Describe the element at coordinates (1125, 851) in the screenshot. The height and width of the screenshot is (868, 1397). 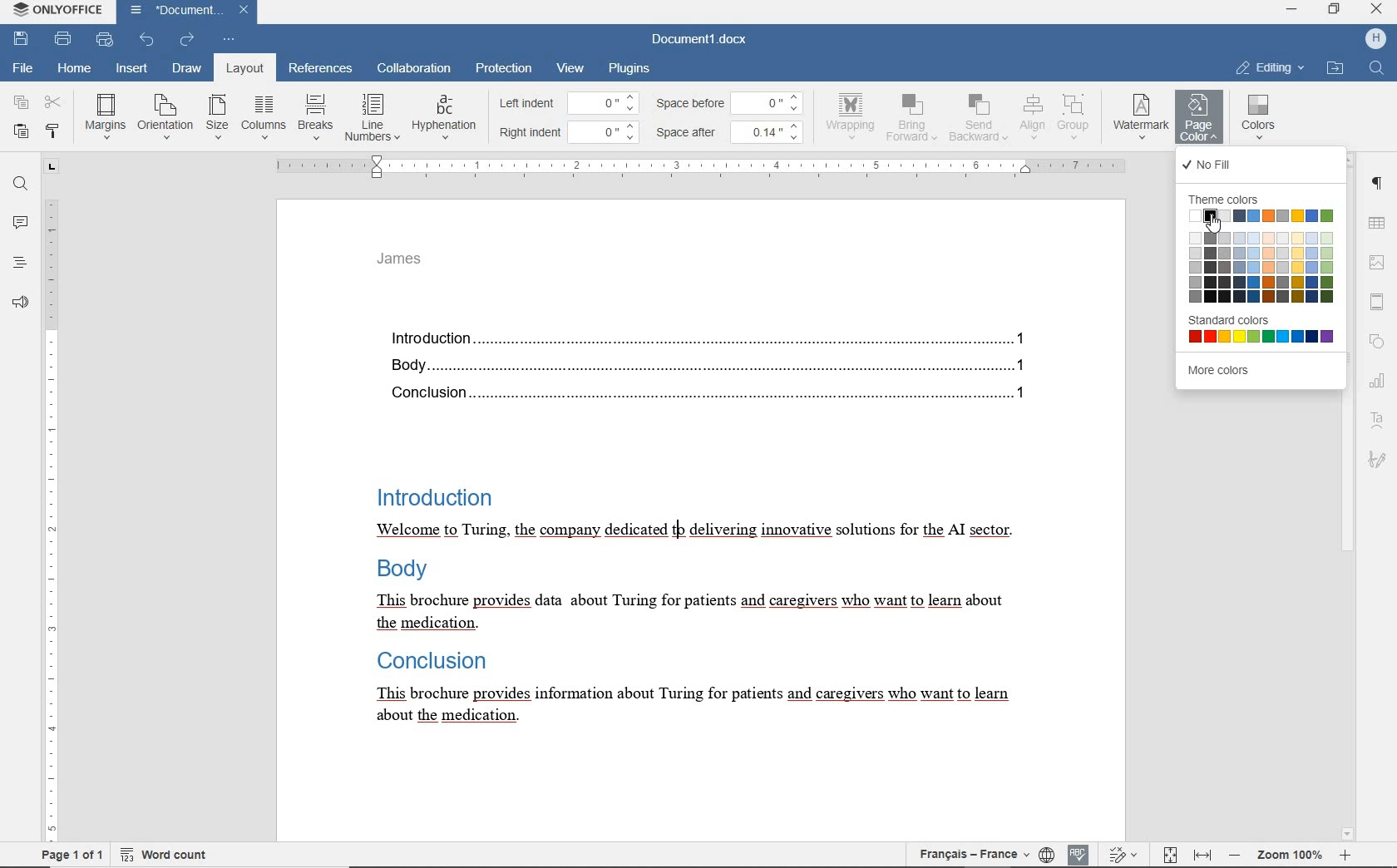
I see `track changes` at that location.